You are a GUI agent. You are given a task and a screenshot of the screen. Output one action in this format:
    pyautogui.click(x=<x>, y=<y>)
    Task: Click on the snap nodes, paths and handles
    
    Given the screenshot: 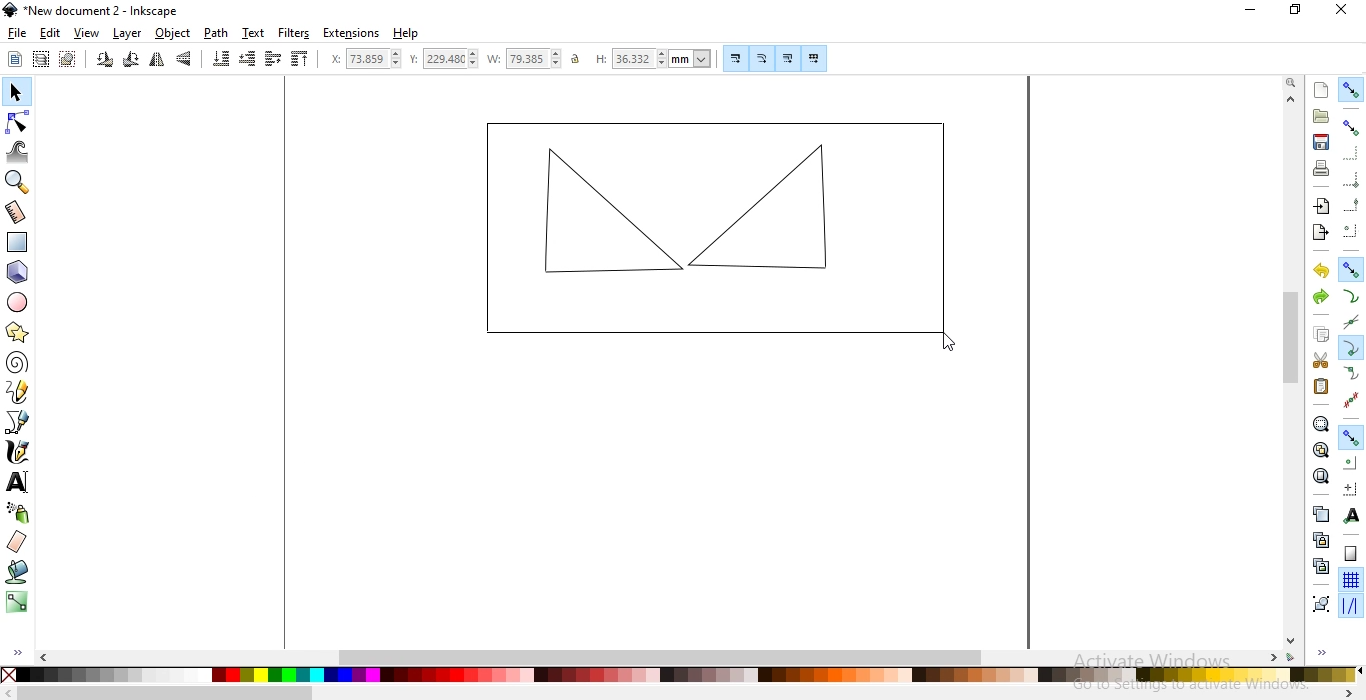 What is the action you would take?
    pyautogui.click(x=1351, y=271)
    